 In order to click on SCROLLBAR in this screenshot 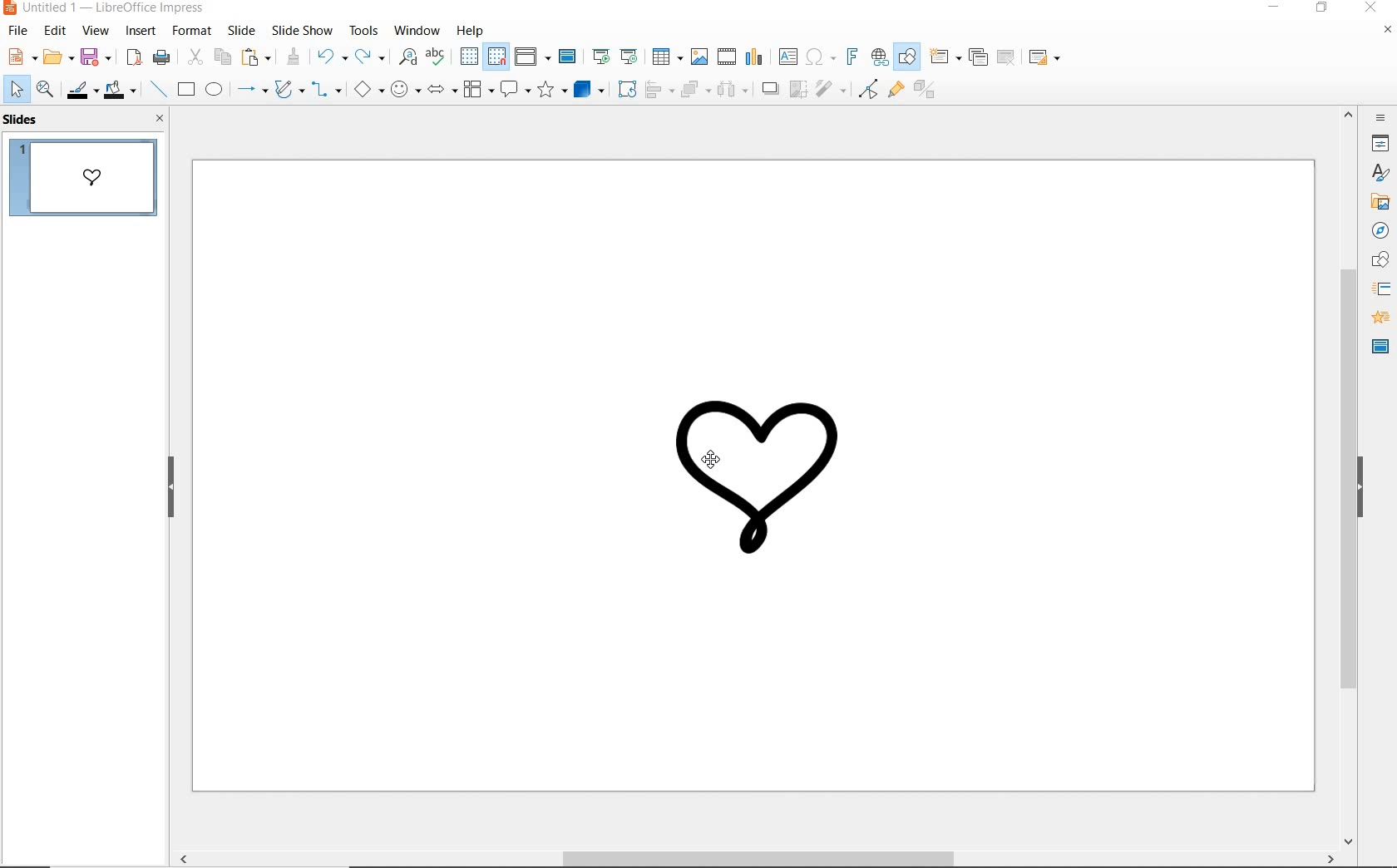, I will do `click(753, 860)`.